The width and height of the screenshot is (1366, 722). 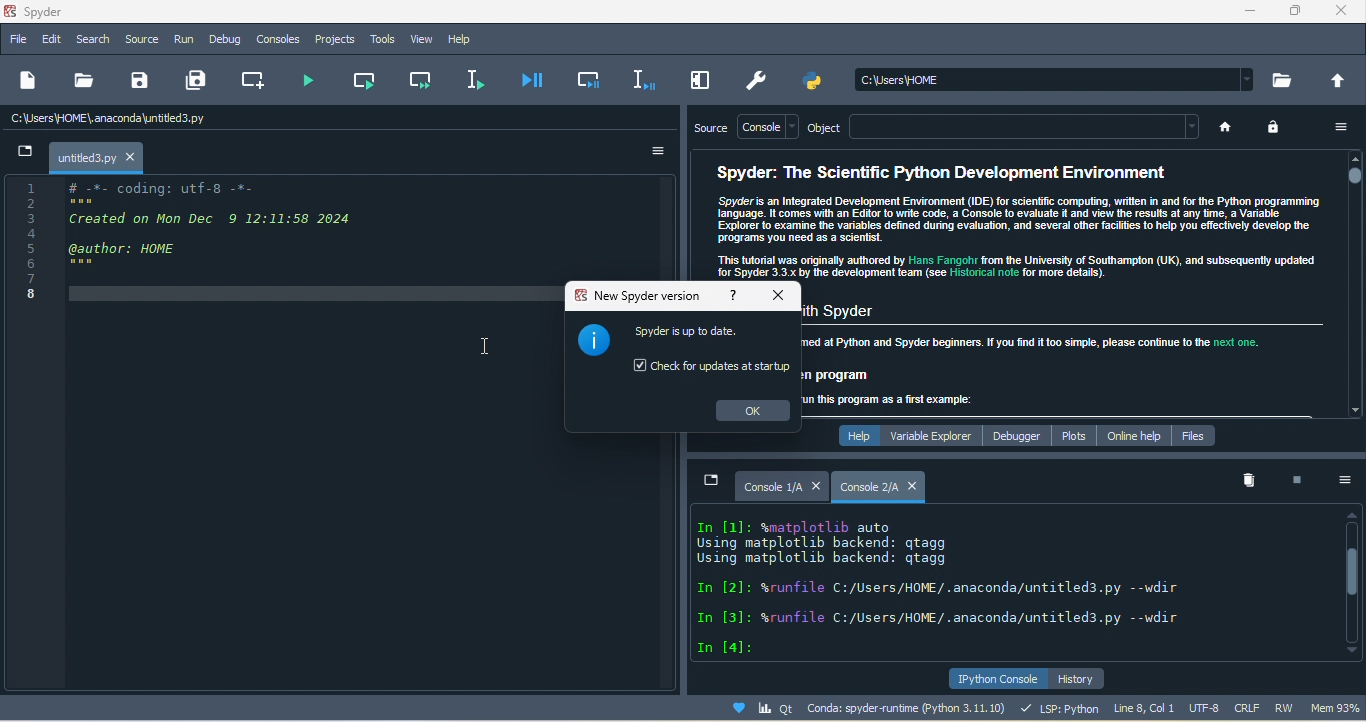 I want to click on online help, so click(x=1132, y=433).